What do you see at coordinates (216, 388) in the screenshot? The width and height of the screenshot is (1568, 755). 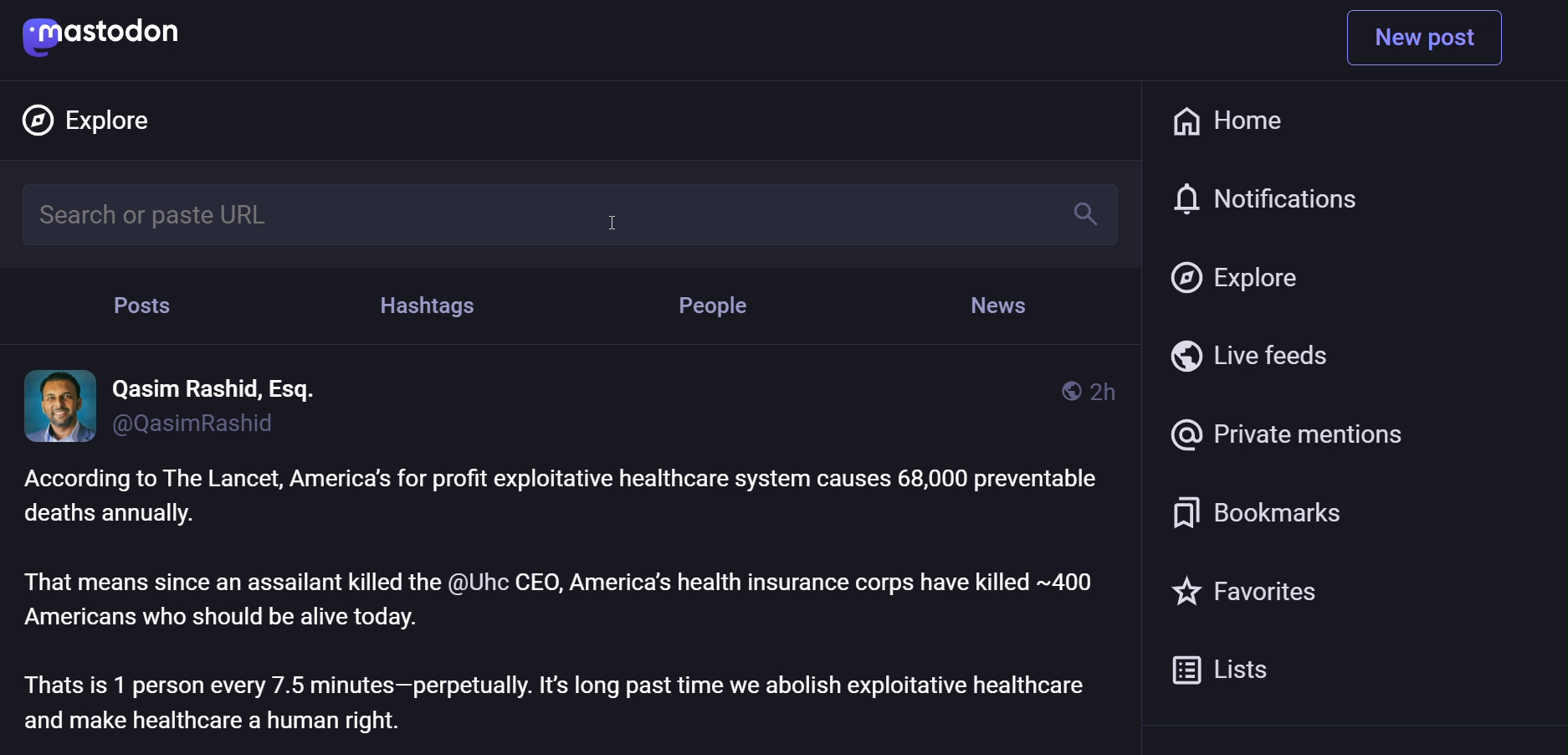 I see `name` at bounding box center [216, 388].